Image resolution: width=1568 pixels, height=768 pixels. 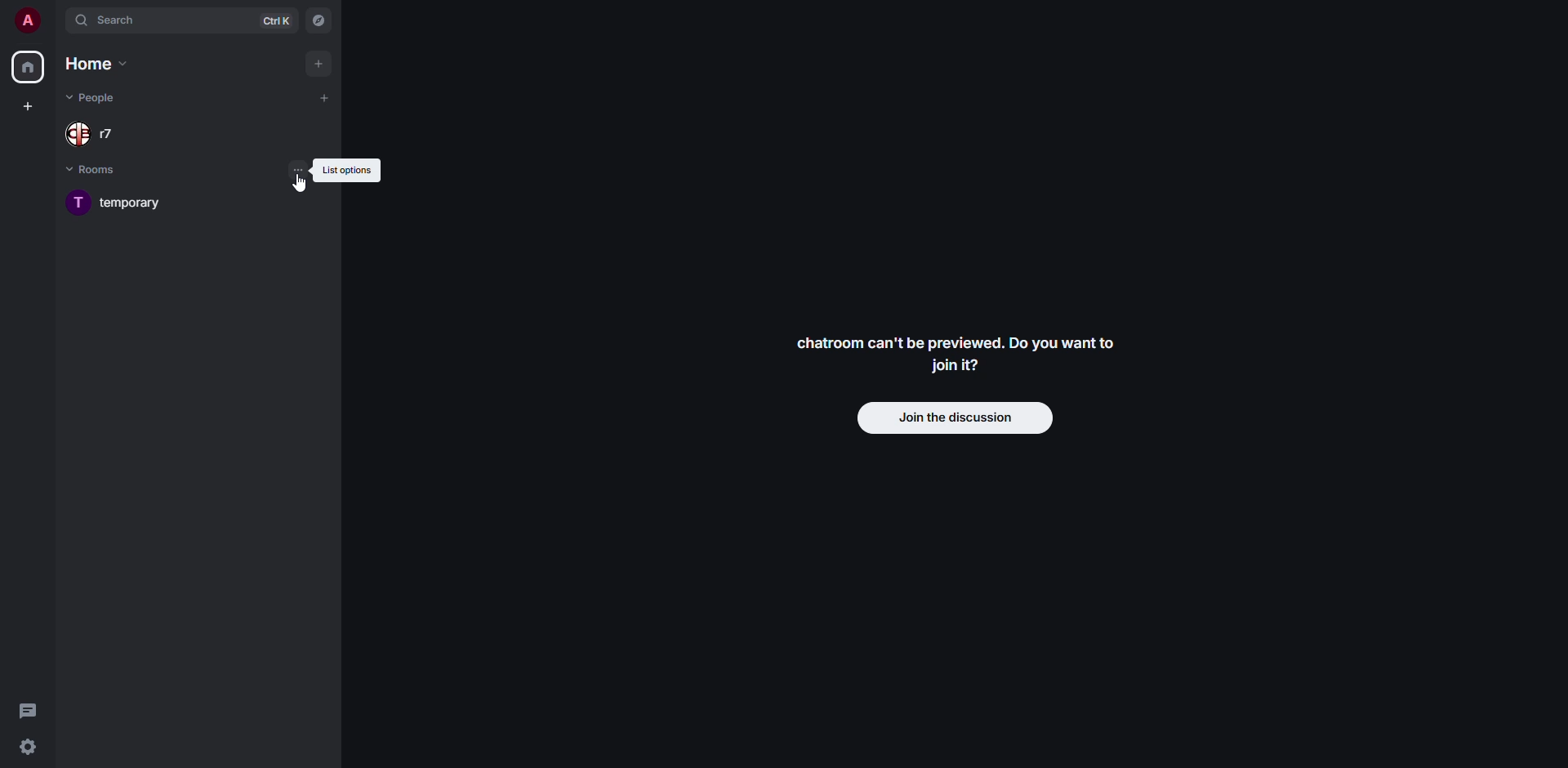 I want to click on ctrl K, so click(x=276, y=21).